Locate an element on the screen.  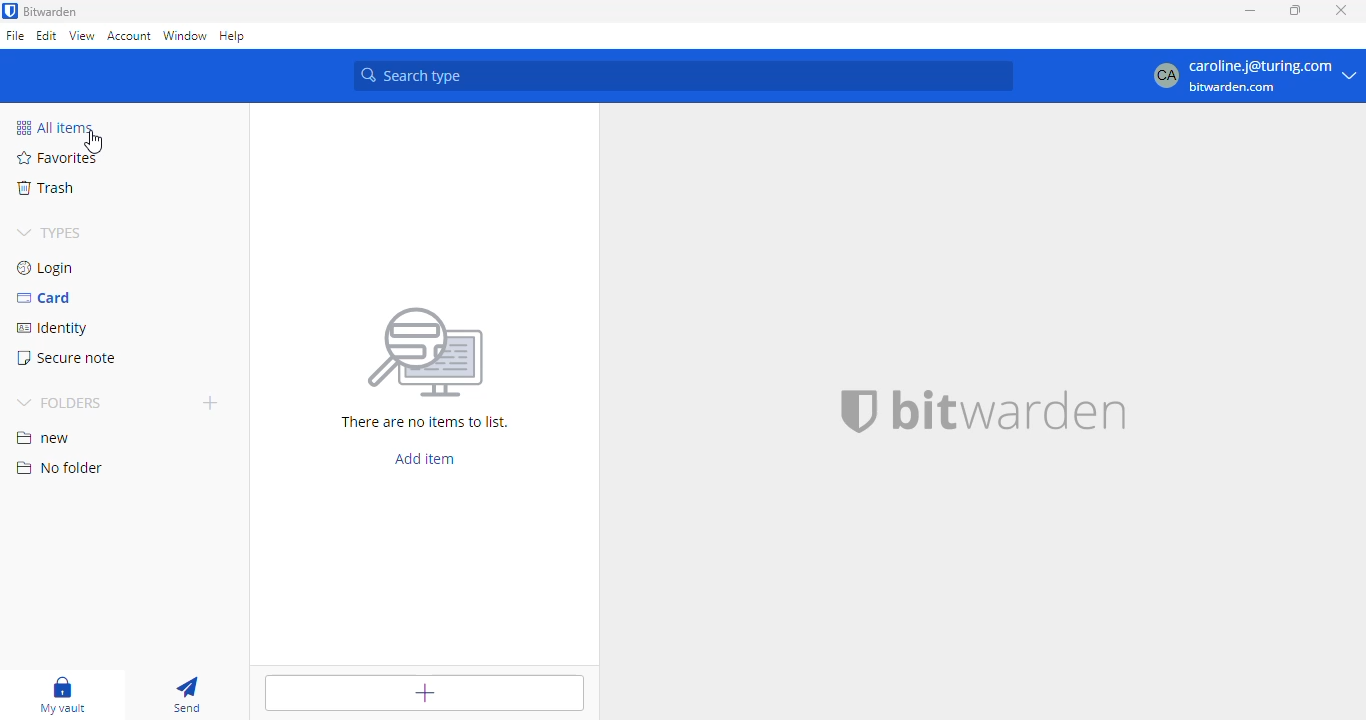
trash is located at coordinates (46, 188).